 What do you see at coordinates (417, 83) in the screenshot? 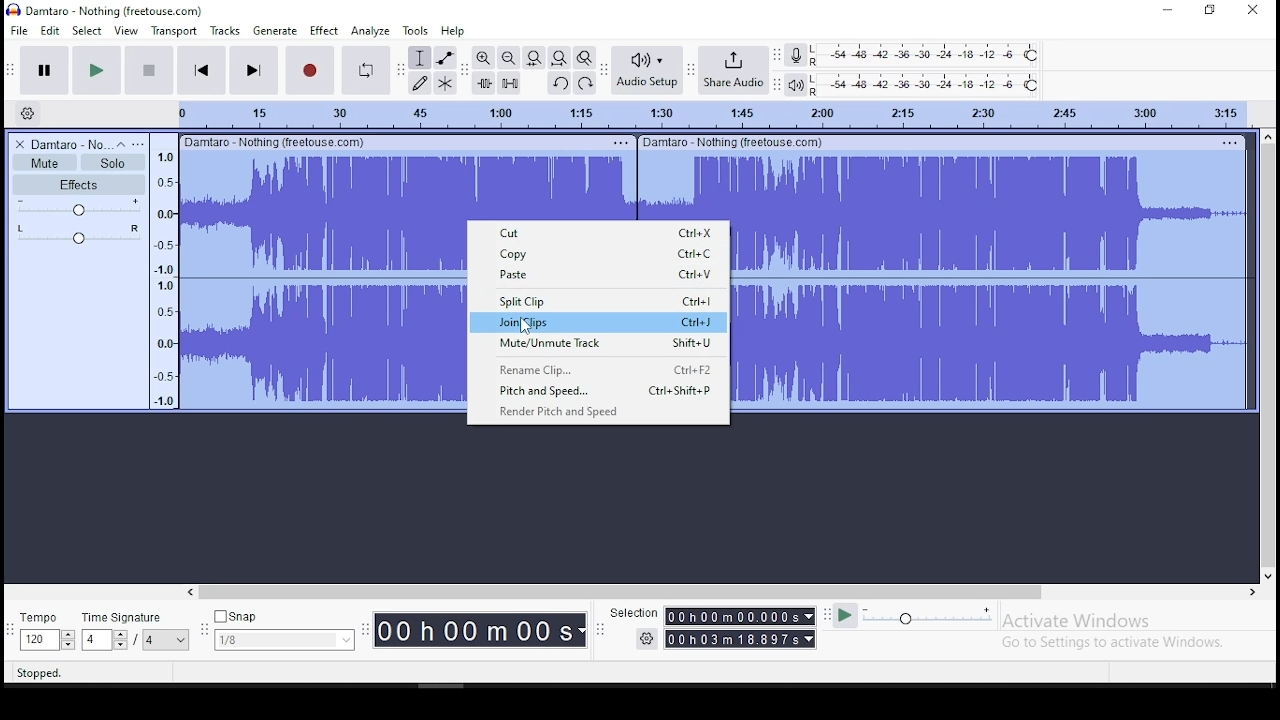
I see `draw tool` at bounding box center [417, 83].